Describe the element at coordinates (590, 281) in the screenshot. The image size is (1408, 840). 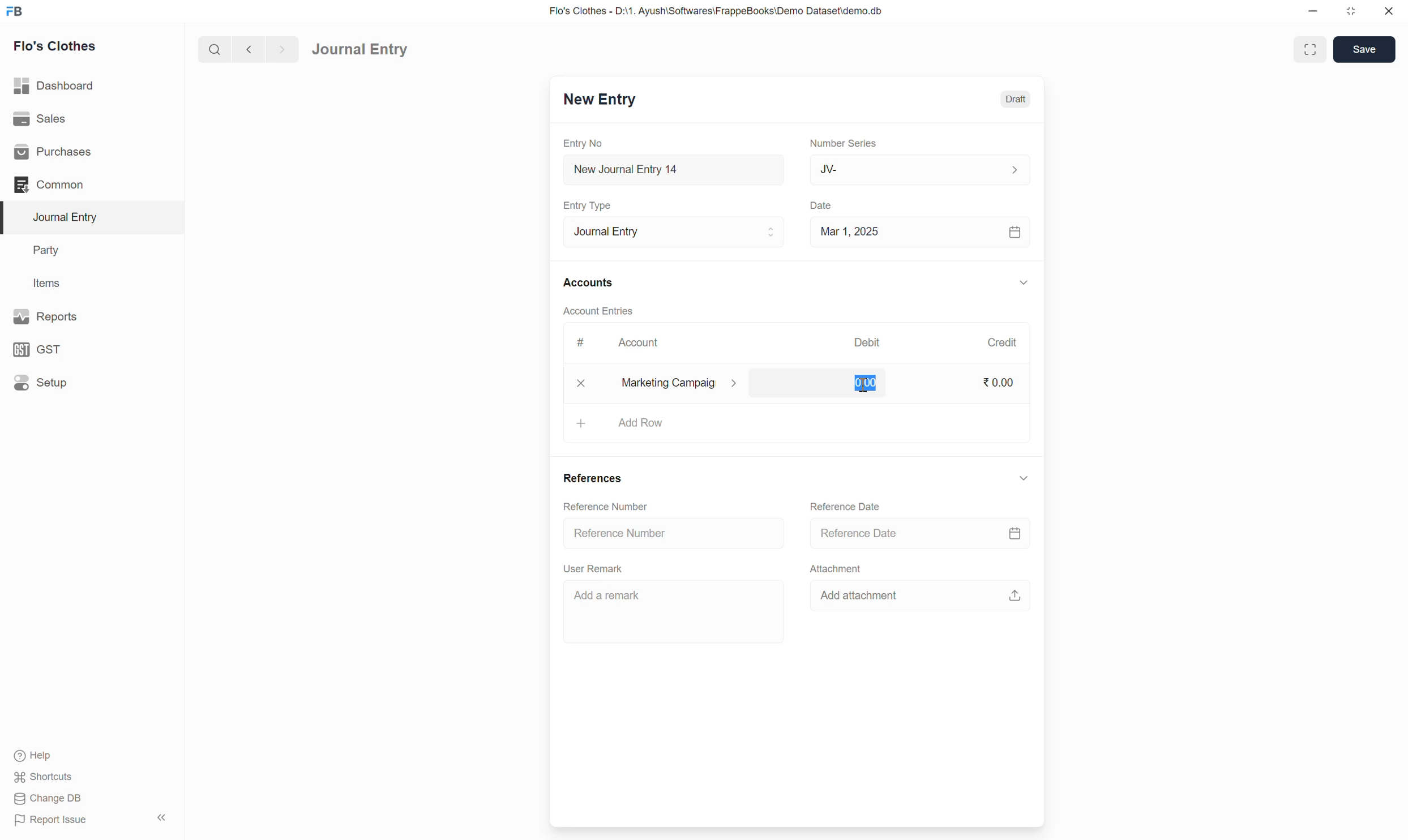
I see `Accounts` at that location.